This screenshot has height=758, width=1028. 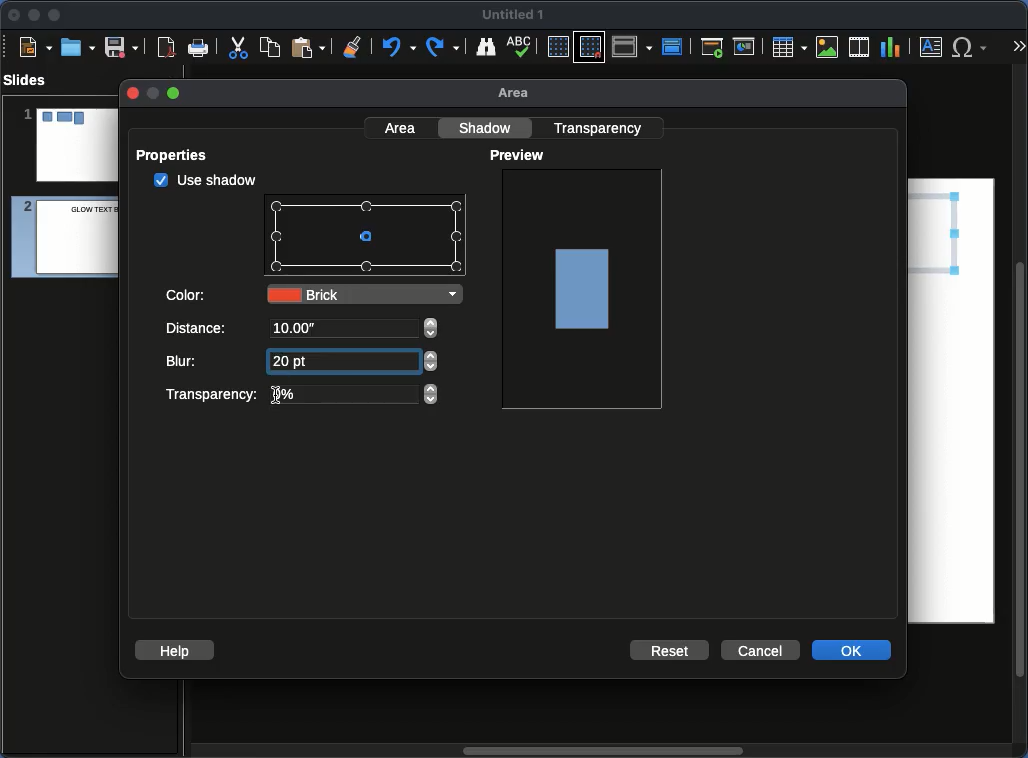 What do you see at coordinates (397, 47) in the screenshot?
I see `Undo` at bounding box center [397, 47].